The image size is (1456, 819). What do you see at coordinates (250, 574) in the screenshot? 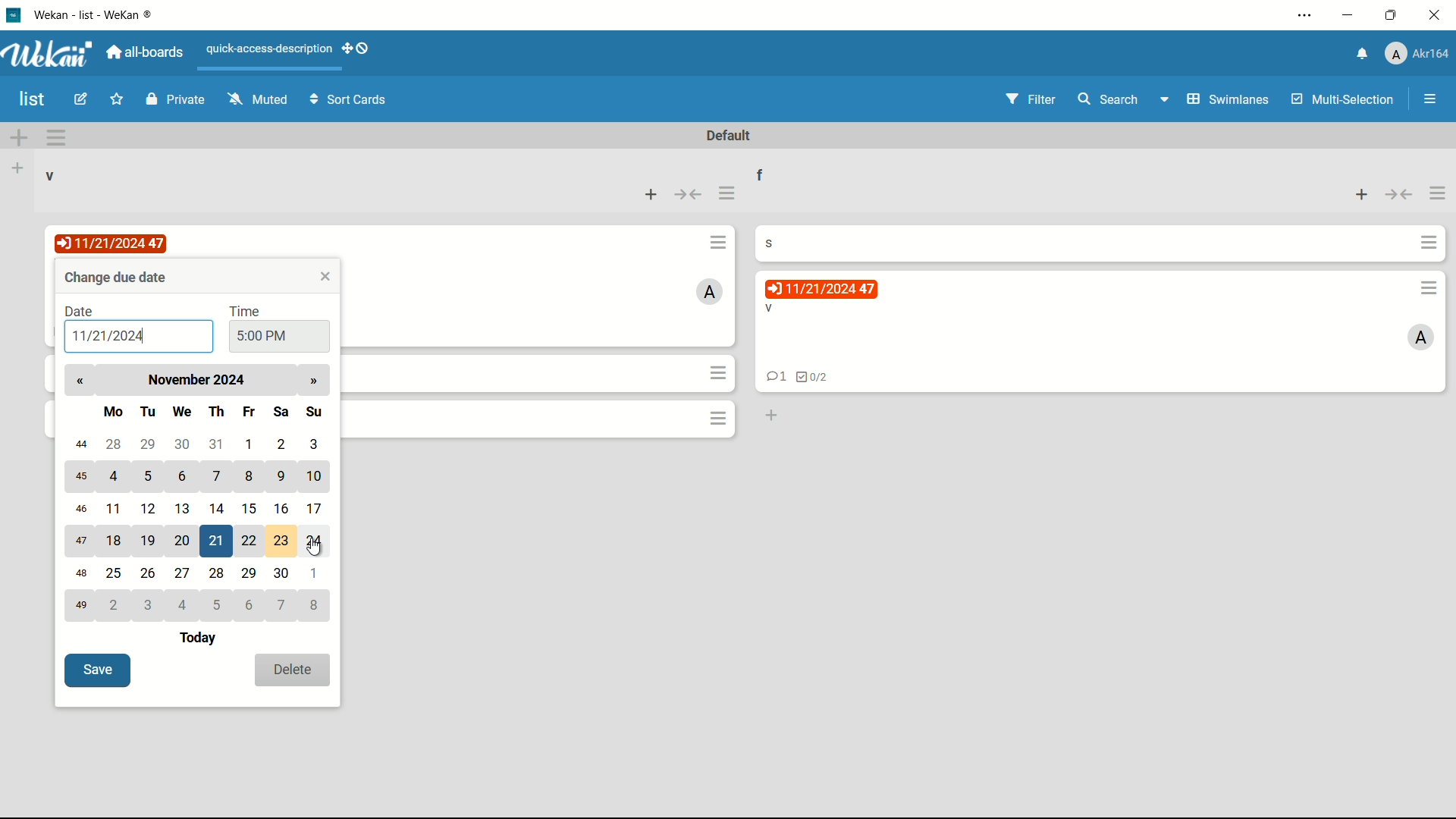
I see `29` at bounding box center [250, 574].